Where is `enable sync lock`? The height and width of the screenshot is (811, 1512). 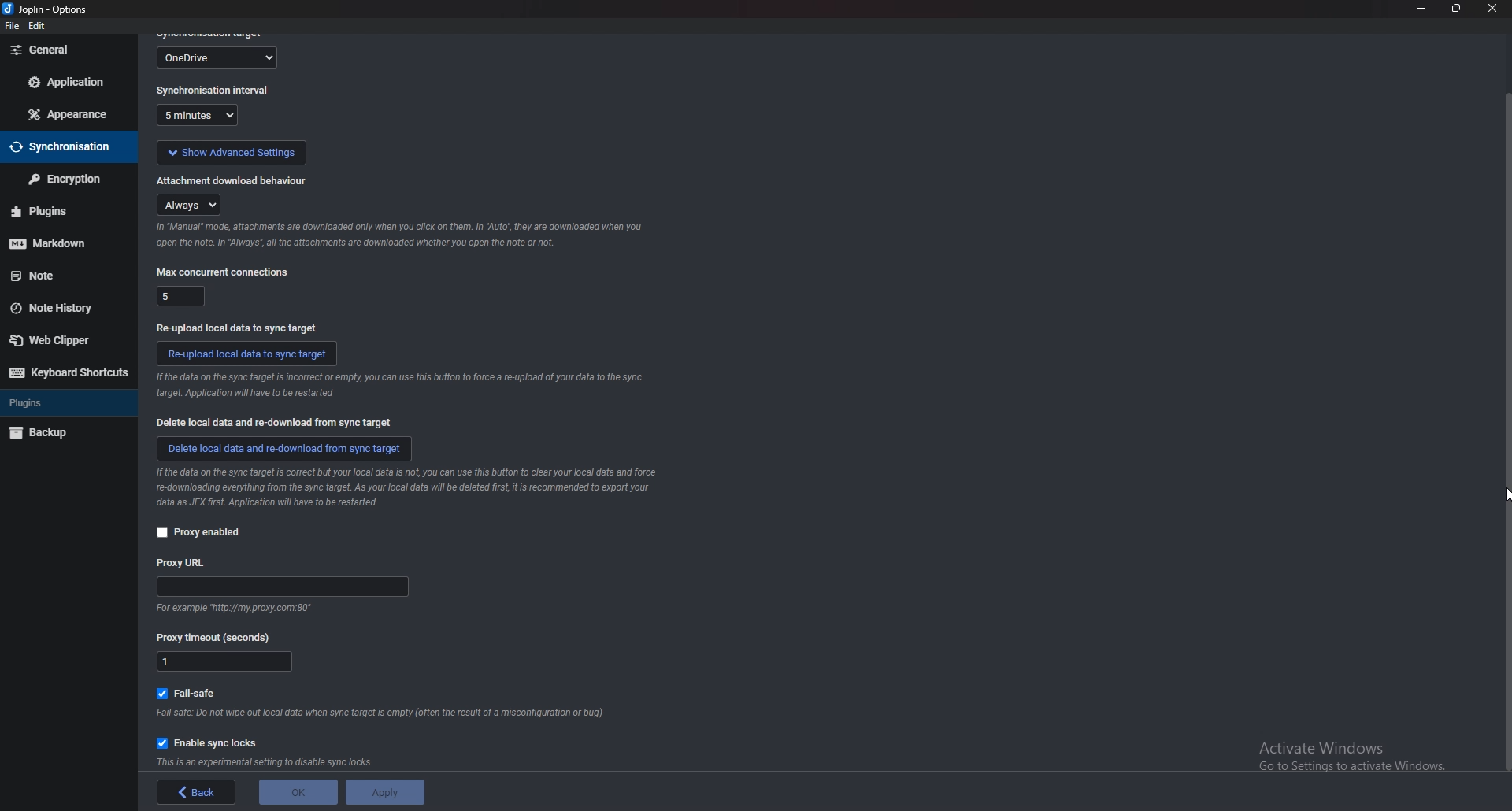
enable sync lock is located at coordinates (213, 741).